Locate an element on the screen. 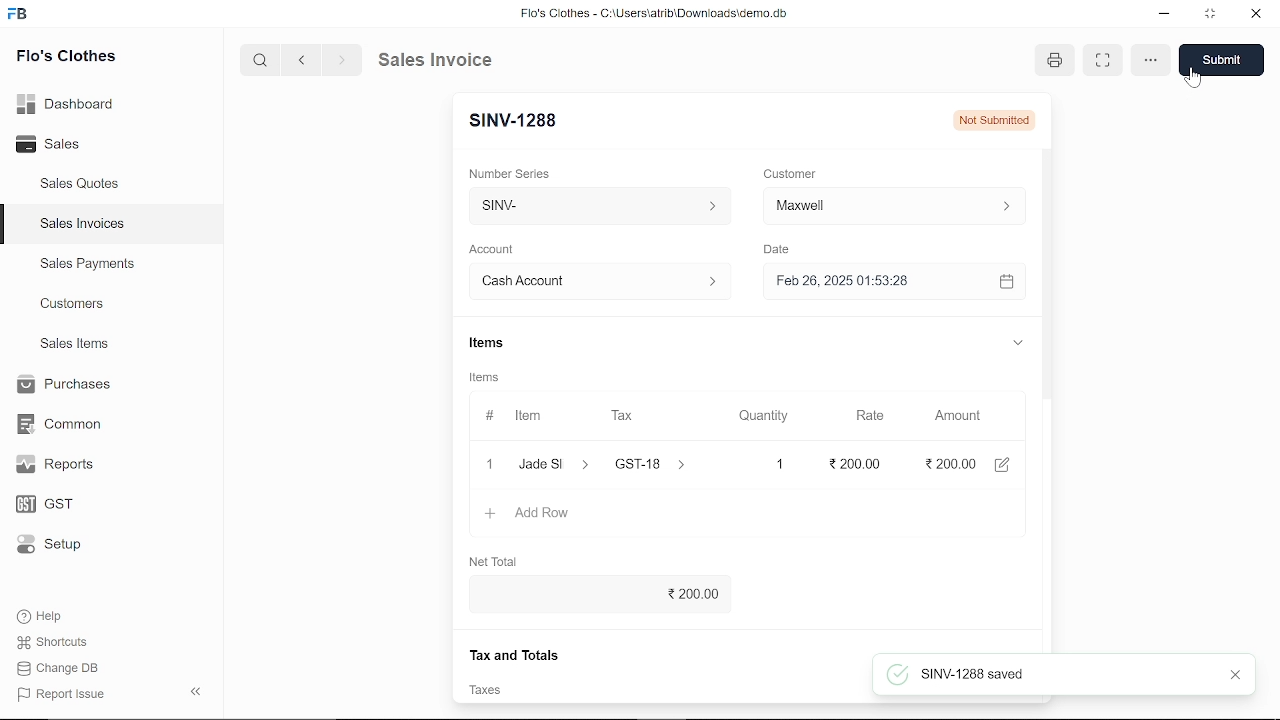 The width and height of the screenshot is (1280, 720). Number Series is located at coordinates (512, 173).